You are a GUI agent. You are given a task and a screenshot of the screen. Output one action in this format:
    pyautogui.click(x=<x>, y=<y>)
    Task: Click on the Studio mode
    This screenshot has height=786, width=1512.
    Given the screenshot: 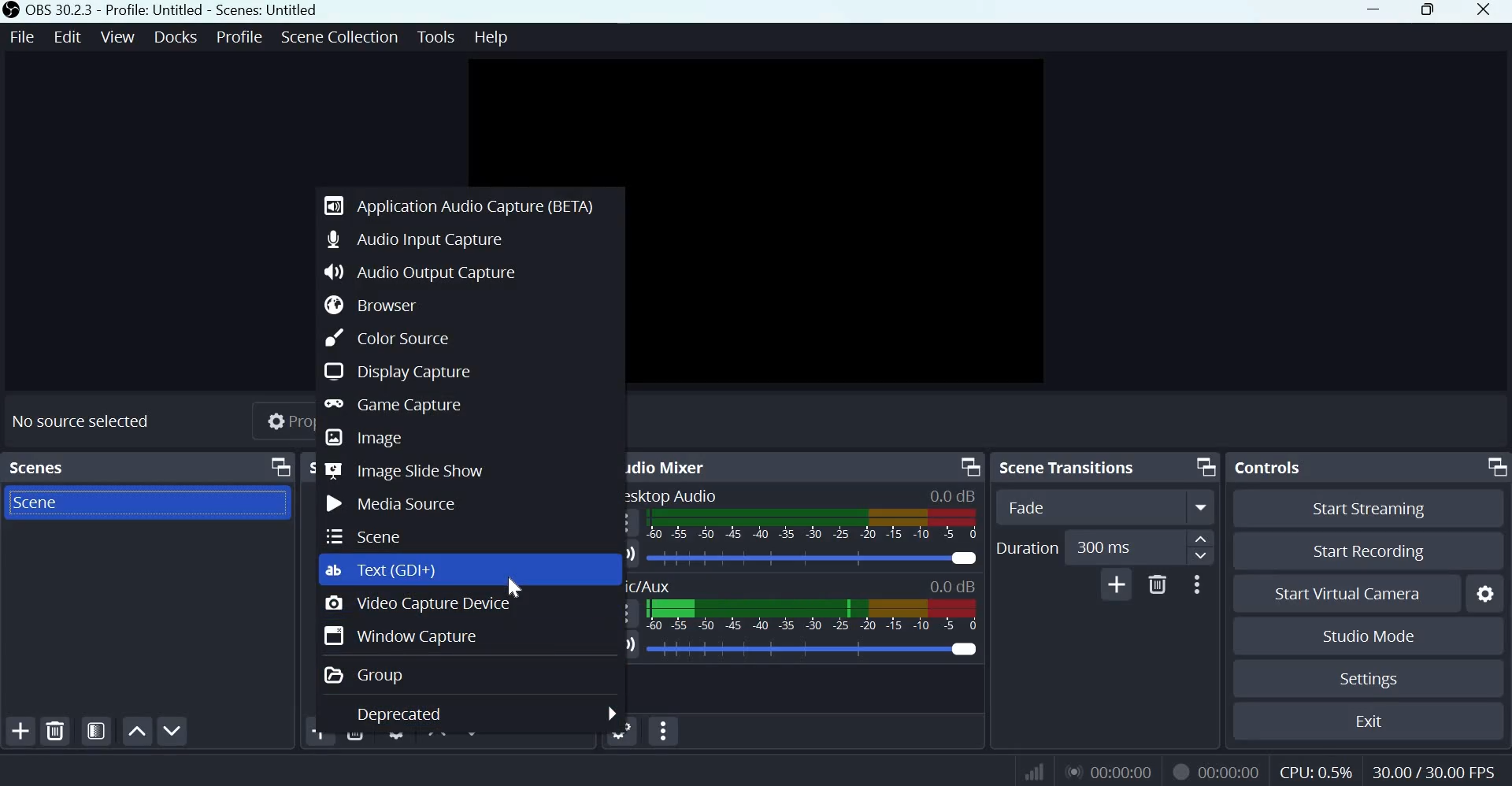 What is the action you would take?
    pyautogui.click(x=1369, y=637)
    